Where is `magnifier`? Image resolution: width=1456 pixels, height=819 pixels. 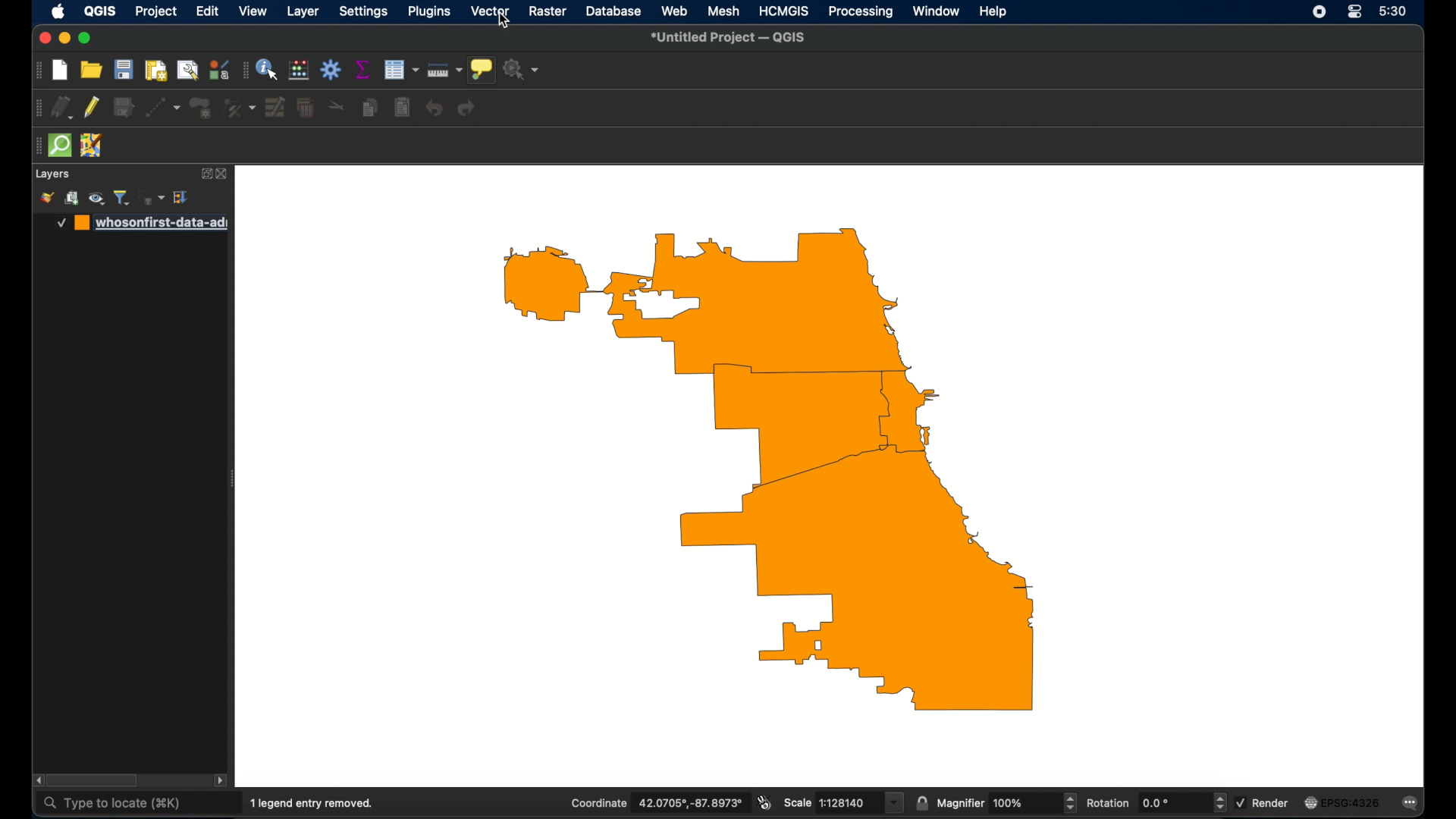 magnifier is located at coordinates (1006, 803).